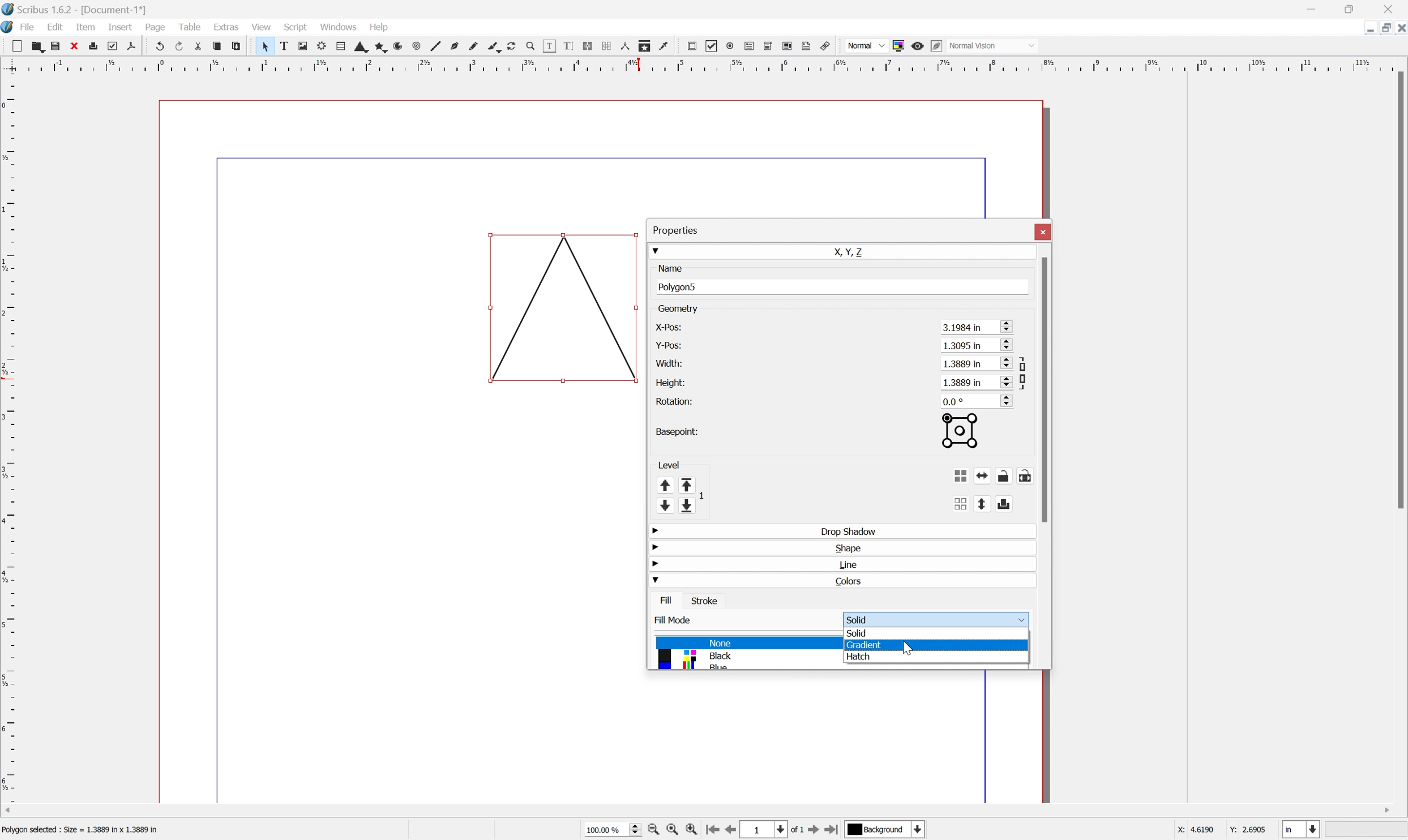 The image size is (1408, 840). What do you see at coordinates (357, 48) in the screenshot?
I see `Shape` at bounding box center [357, 48].